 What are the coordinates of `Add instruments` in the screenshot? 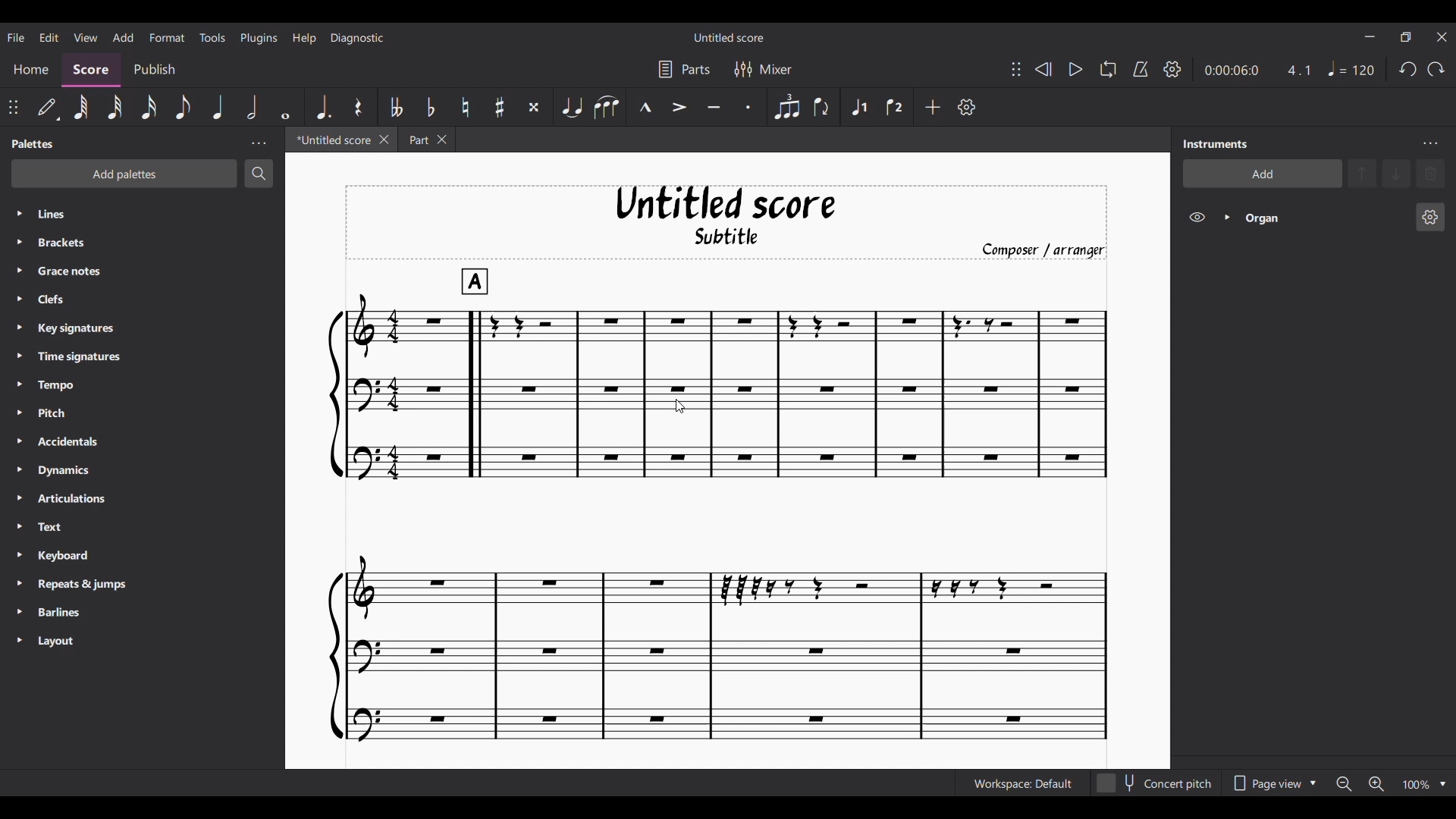 It's located at (1263, 174).